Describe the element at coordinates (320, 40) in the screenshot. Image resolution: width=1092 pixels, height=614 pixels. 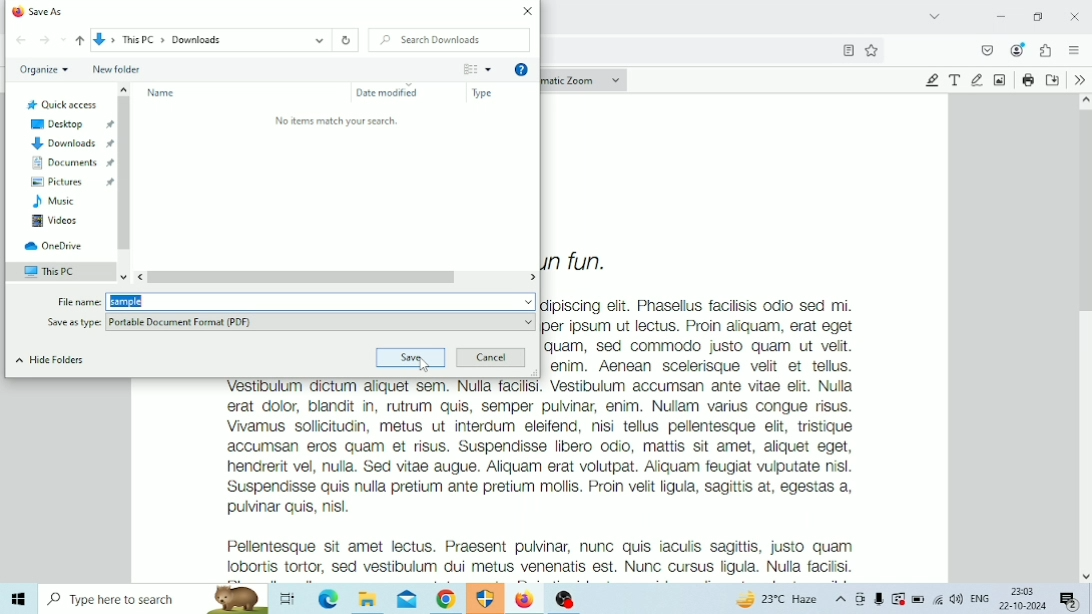
I see `More location options` at that location.